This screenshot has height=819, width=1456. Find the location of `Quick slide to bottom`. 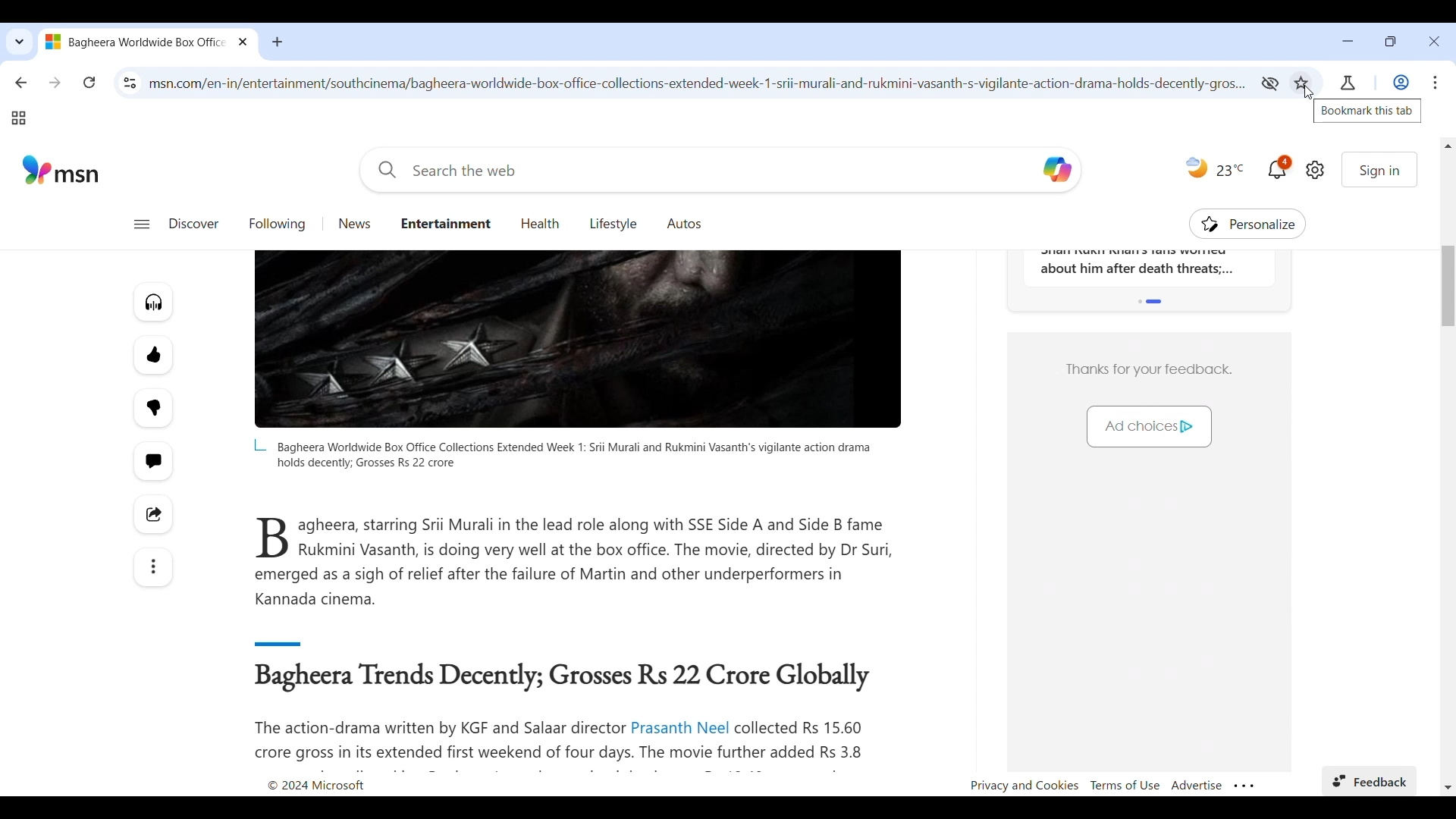

Quick slide to bottom is located at coordinates (1448, 787).